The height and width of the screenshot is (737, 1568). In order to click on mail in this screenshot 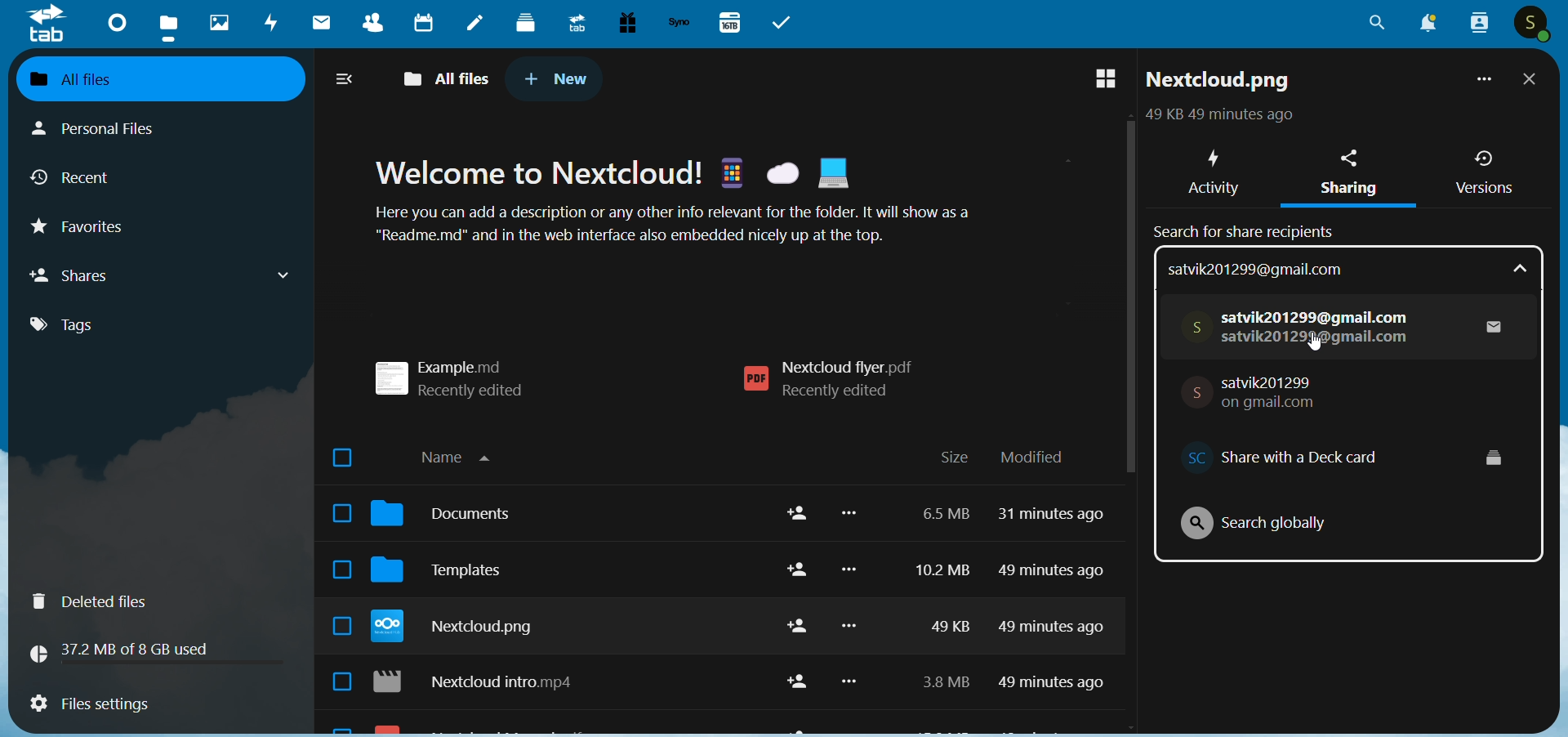, I will do `click(318, 25)`.